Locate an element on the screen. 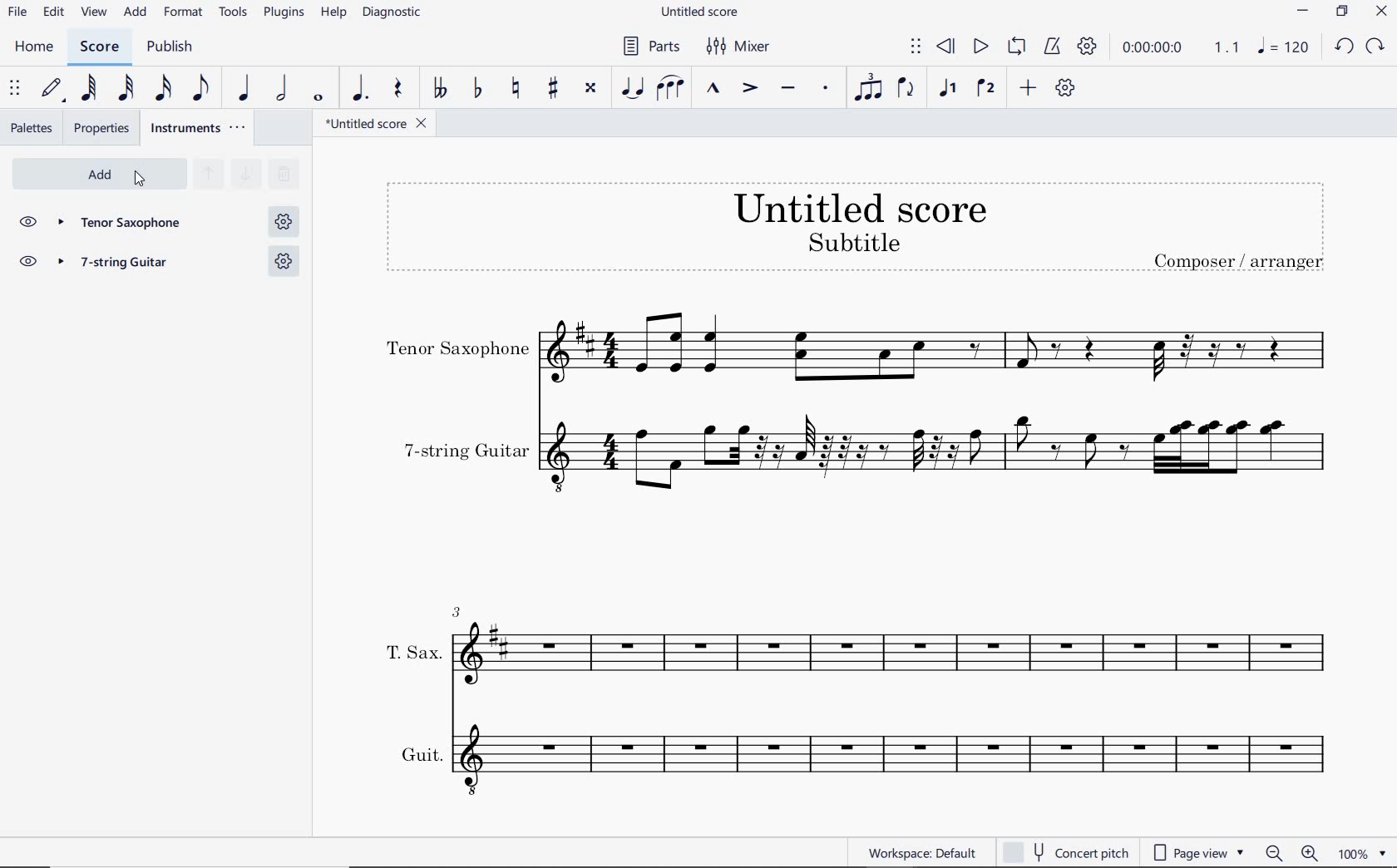 This screenshot has height=868, width=1397. REST is located at coordinates (397, 90).